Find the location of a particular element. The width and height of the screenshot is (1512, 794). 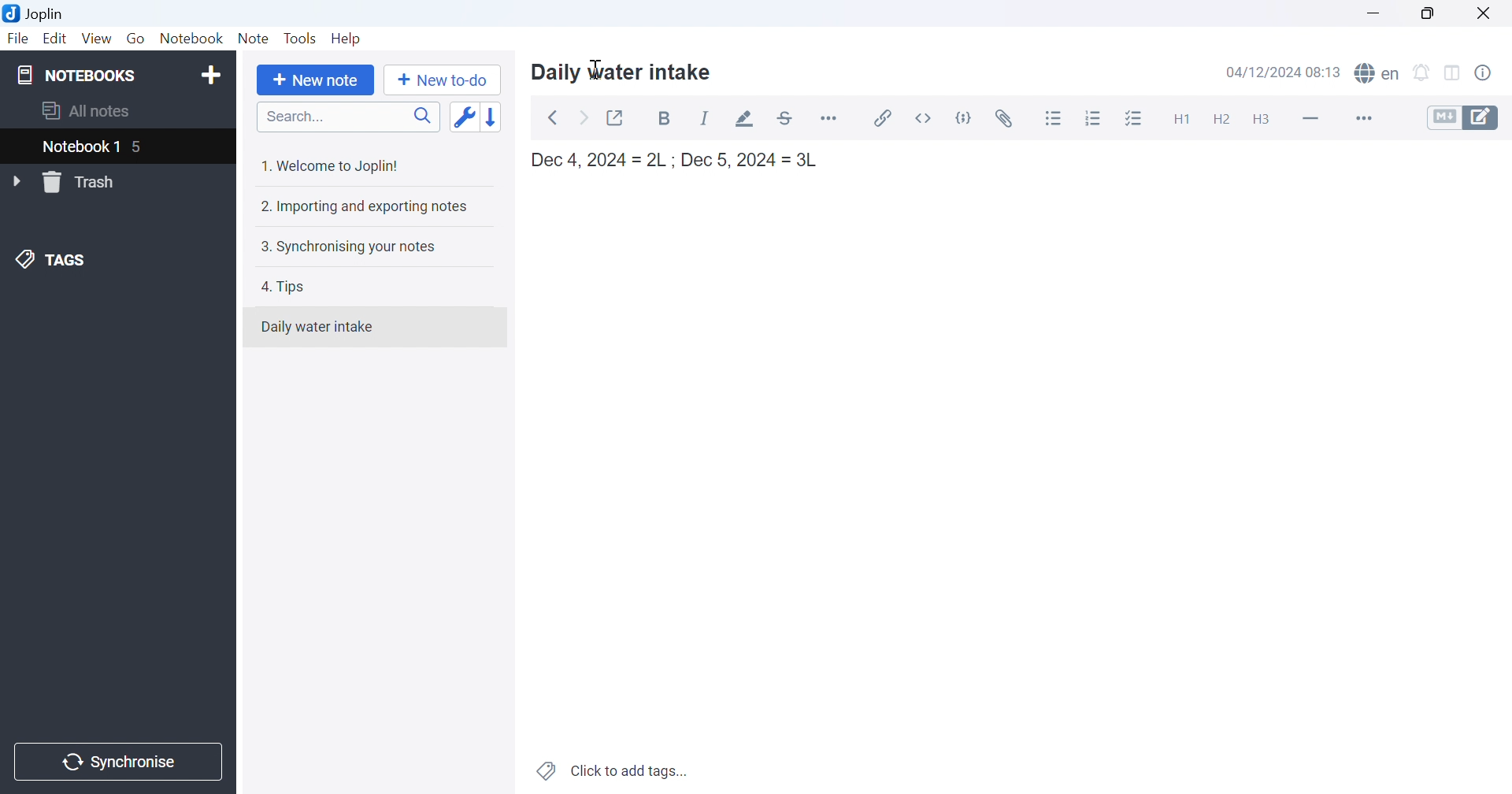

Go is located at coordinates (138, 39).